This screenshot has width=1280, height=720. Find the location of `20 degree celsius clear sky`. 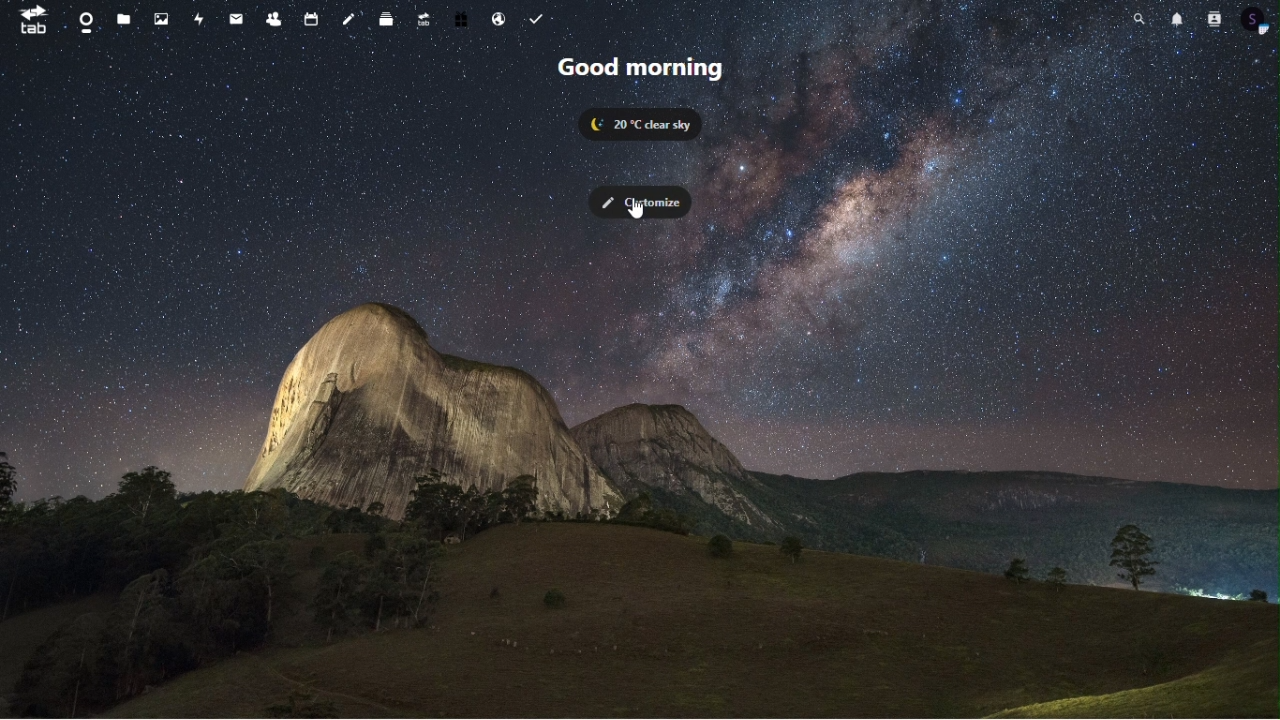

20 degree celsius clear sky is located at coordinates (641, 124).